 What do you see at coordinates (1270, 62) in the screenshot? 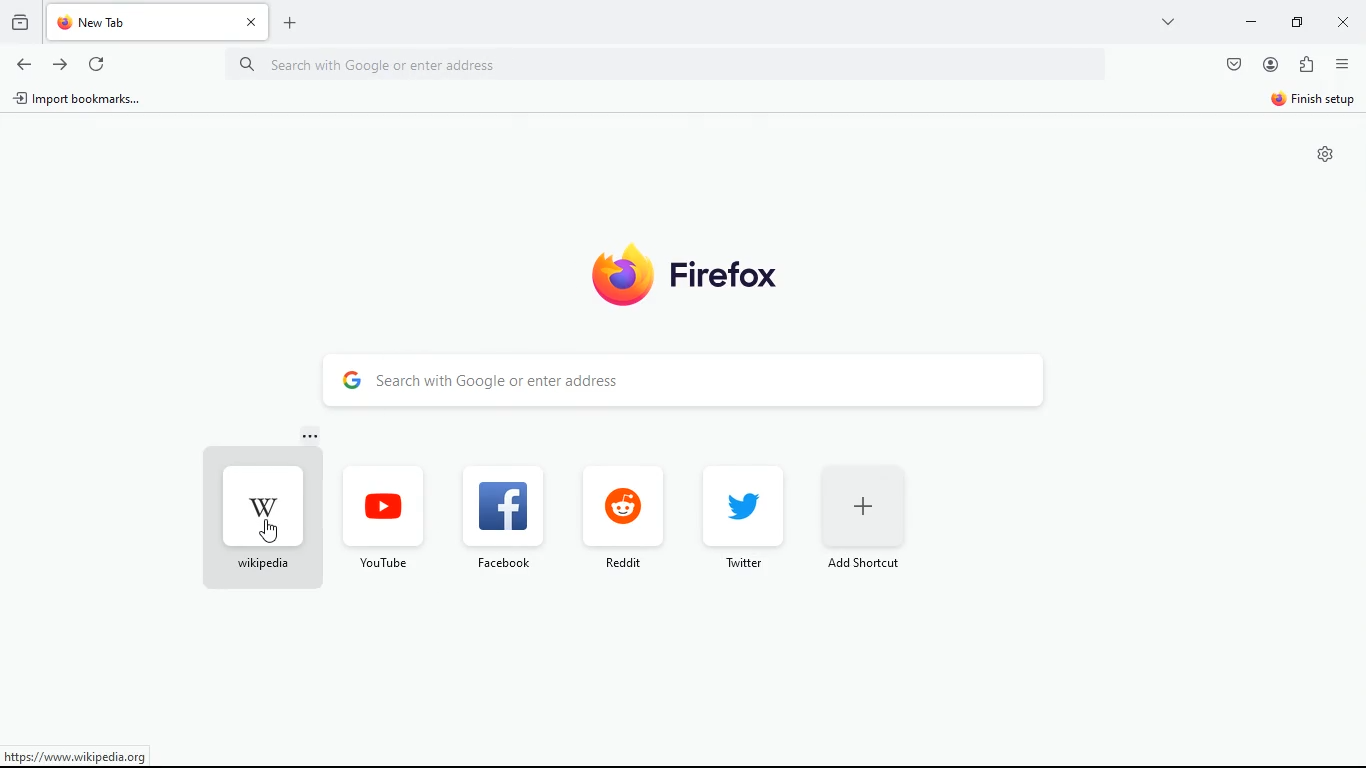
I see `account` at bounding box center [1270, 62].